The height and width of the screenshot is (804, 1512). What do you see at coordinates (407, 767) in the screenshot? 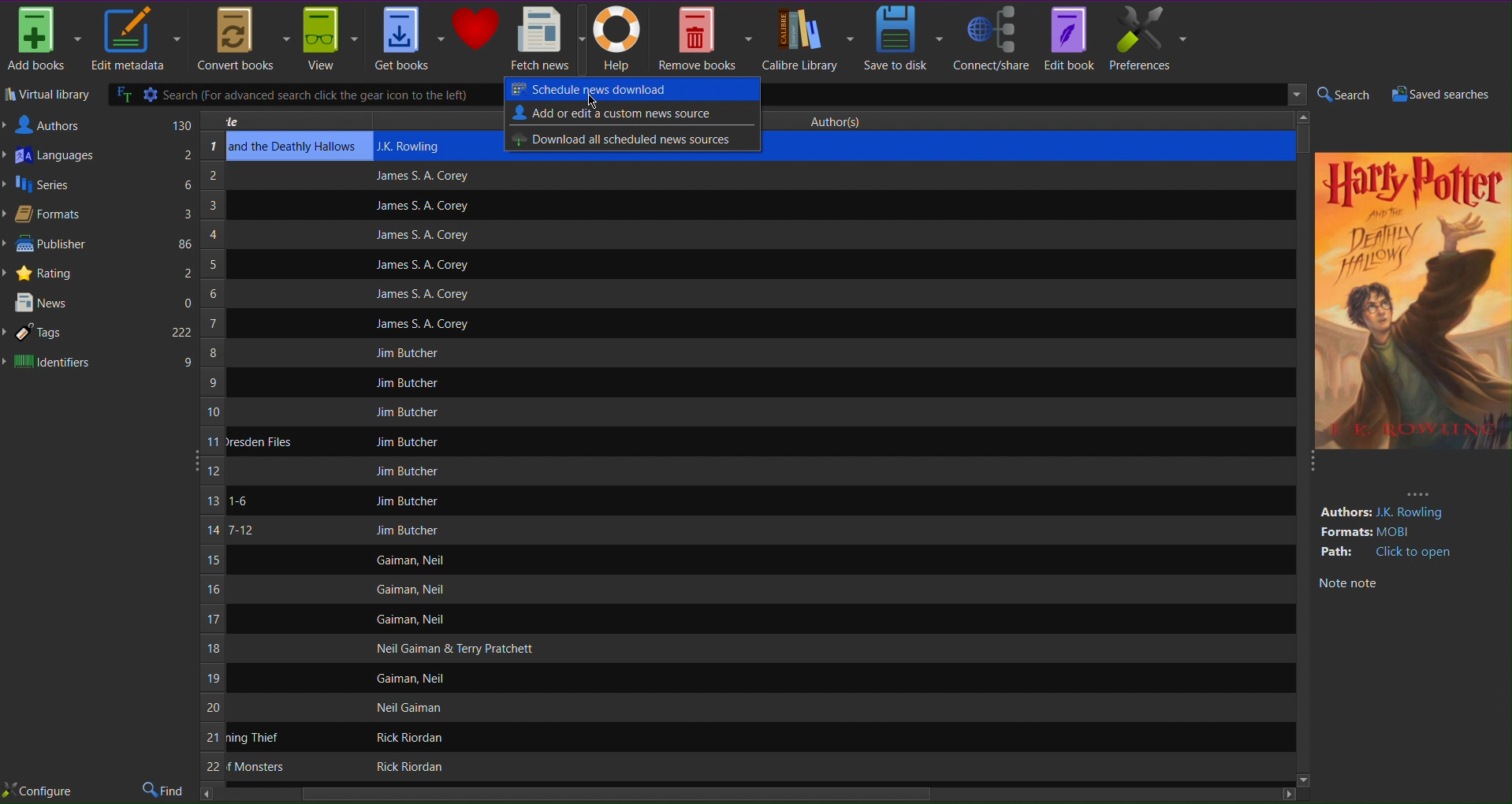
I see `Rick Riordan` at bounding box center [407, 767].